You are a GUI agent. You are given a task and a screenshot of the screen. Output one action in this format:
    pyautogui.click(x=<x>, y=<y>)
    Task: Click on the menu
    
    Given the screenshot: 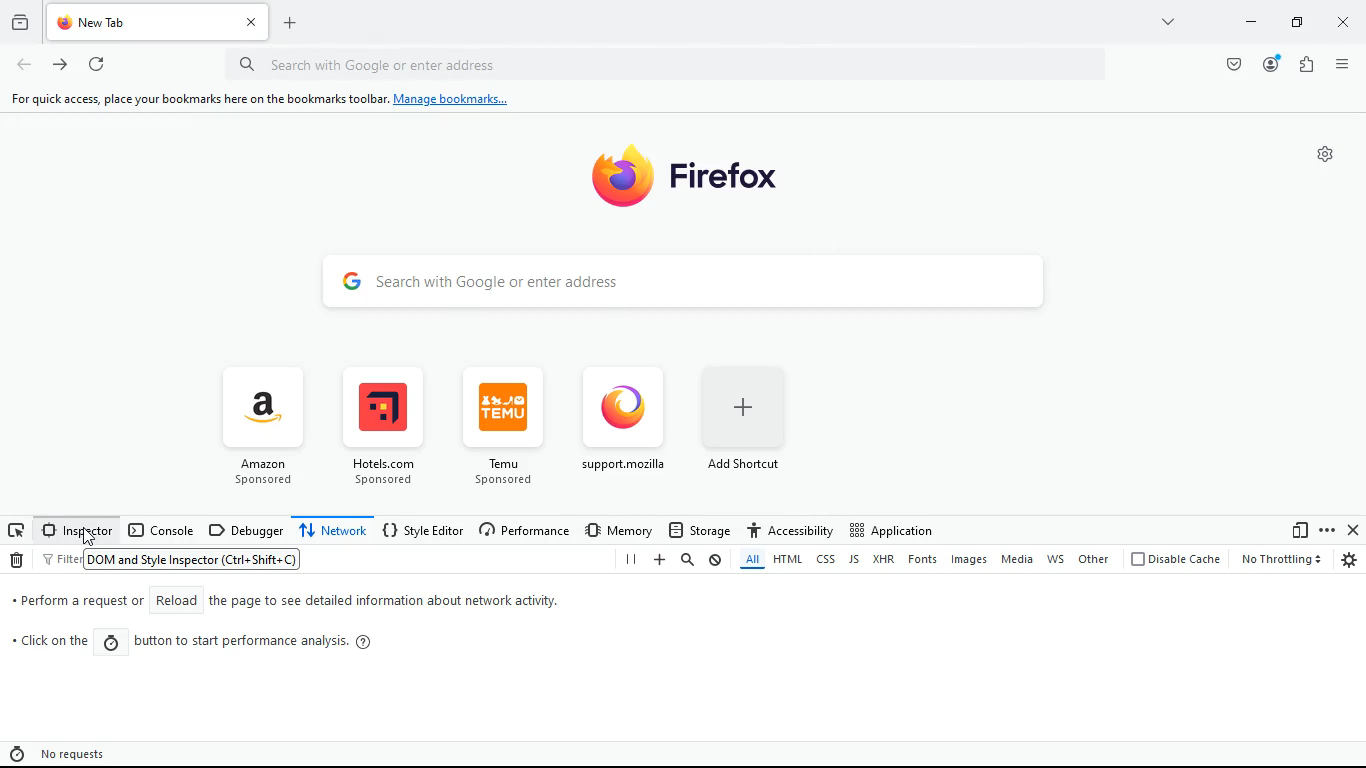 What is the action you would take?
    pyautogui.click(x=1340, y=62)
    